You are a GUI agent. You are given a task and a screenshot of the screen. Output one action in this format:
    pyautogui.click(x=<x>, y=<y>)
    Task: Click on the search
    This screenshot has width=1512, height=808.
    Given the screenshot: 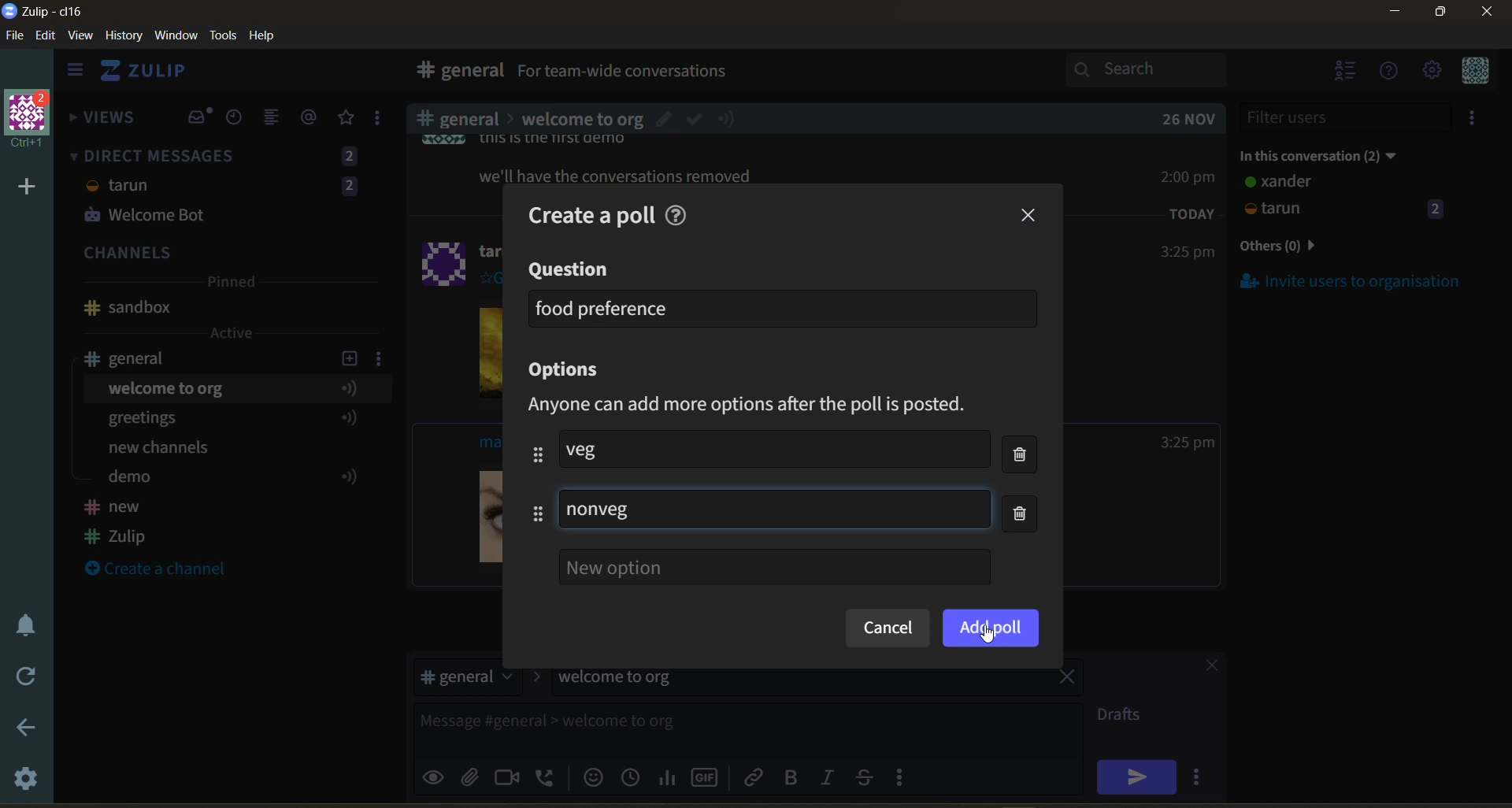 What is the action you would take?
    pyautogui.click(x=1160, y=69)
    